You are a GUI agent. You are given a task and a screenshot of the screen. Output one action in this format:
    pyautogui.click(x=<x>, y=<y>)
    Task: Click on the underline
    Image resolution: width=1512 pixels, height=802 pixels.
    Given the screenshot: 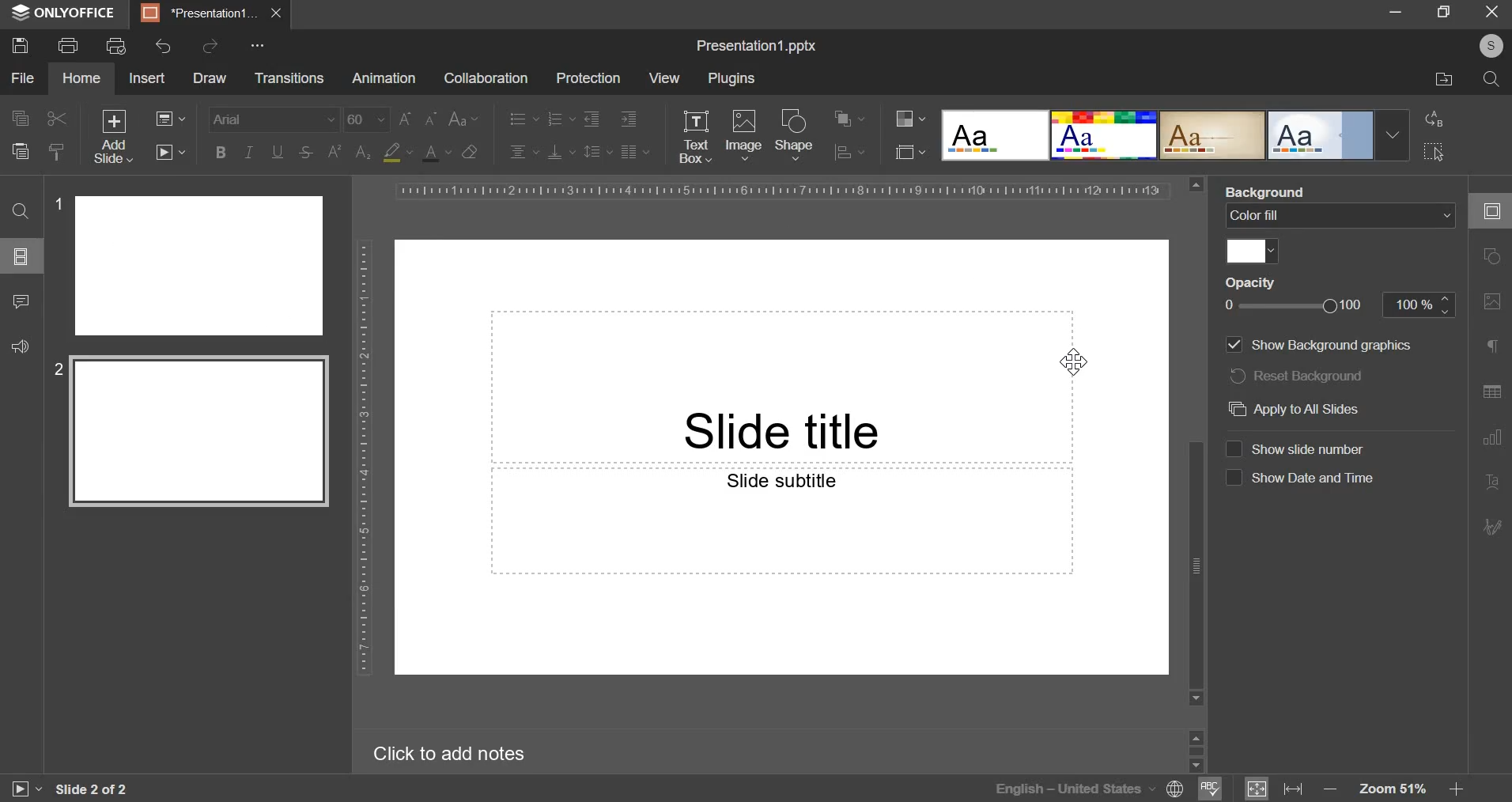 What is the action you would take?
    pyautogui.click(x=277, y=150)
    